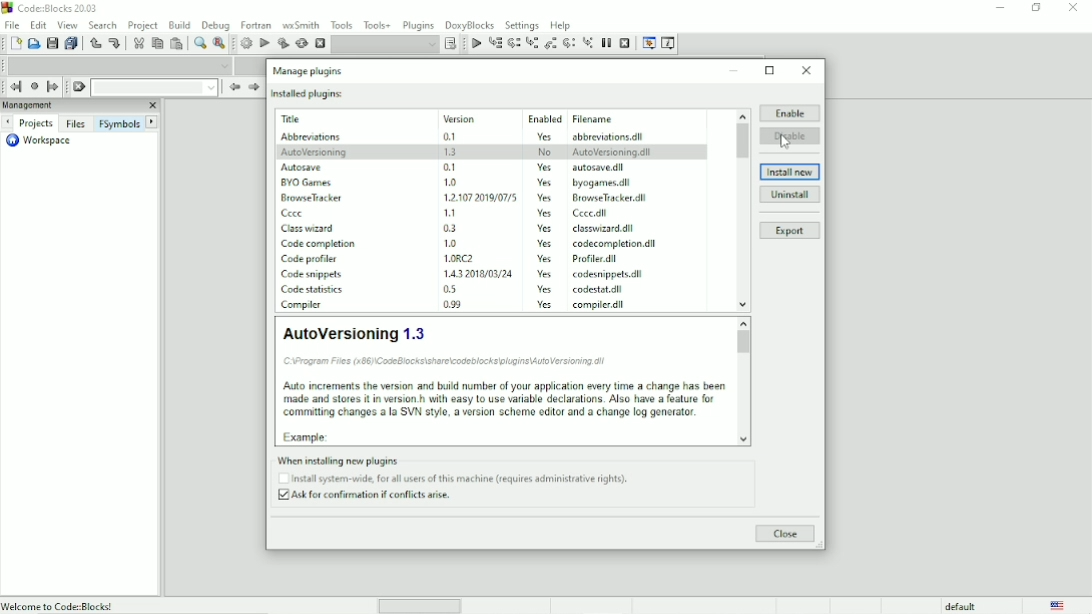 The height and width of the screenshot is (614, 1092). I want to click on Yes, so click(547, 289).